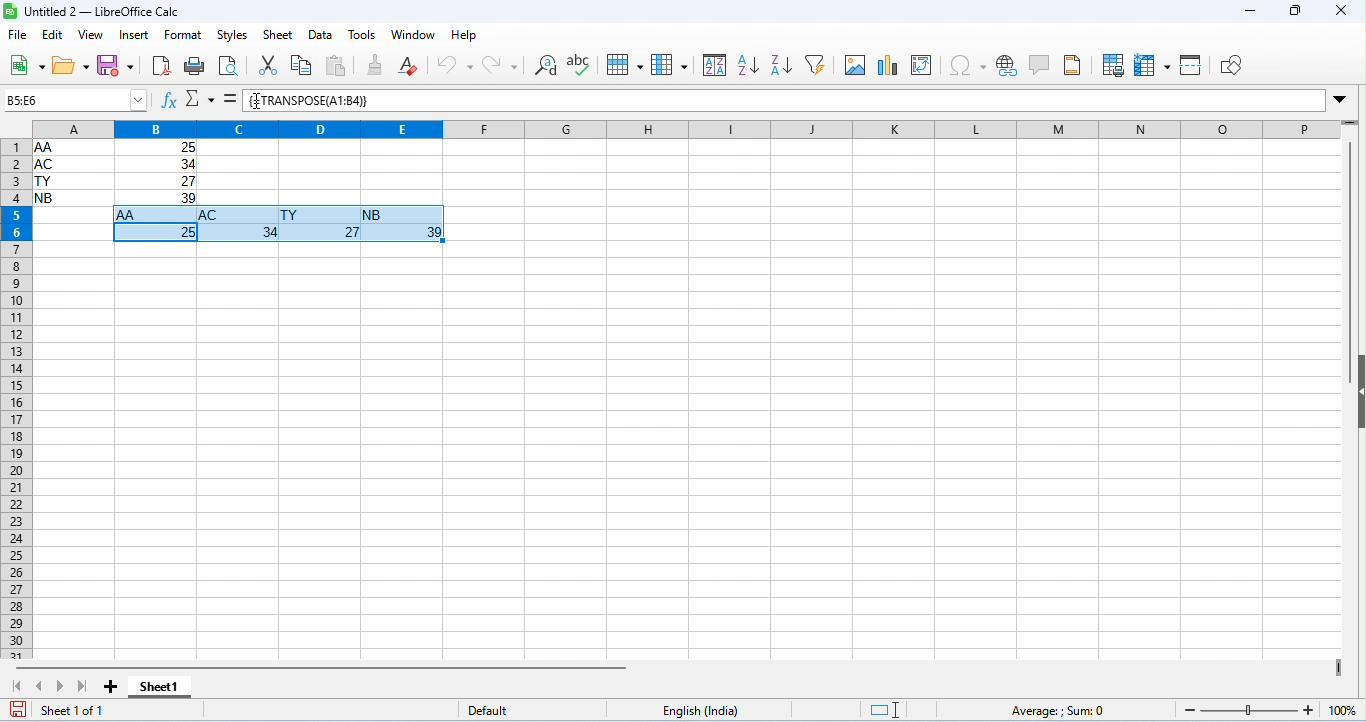 The width and height of the screenshot is (1366, 722). Describe the element at coordinates (747, 66) in the screenshot. I see `sort ascending` at that location.